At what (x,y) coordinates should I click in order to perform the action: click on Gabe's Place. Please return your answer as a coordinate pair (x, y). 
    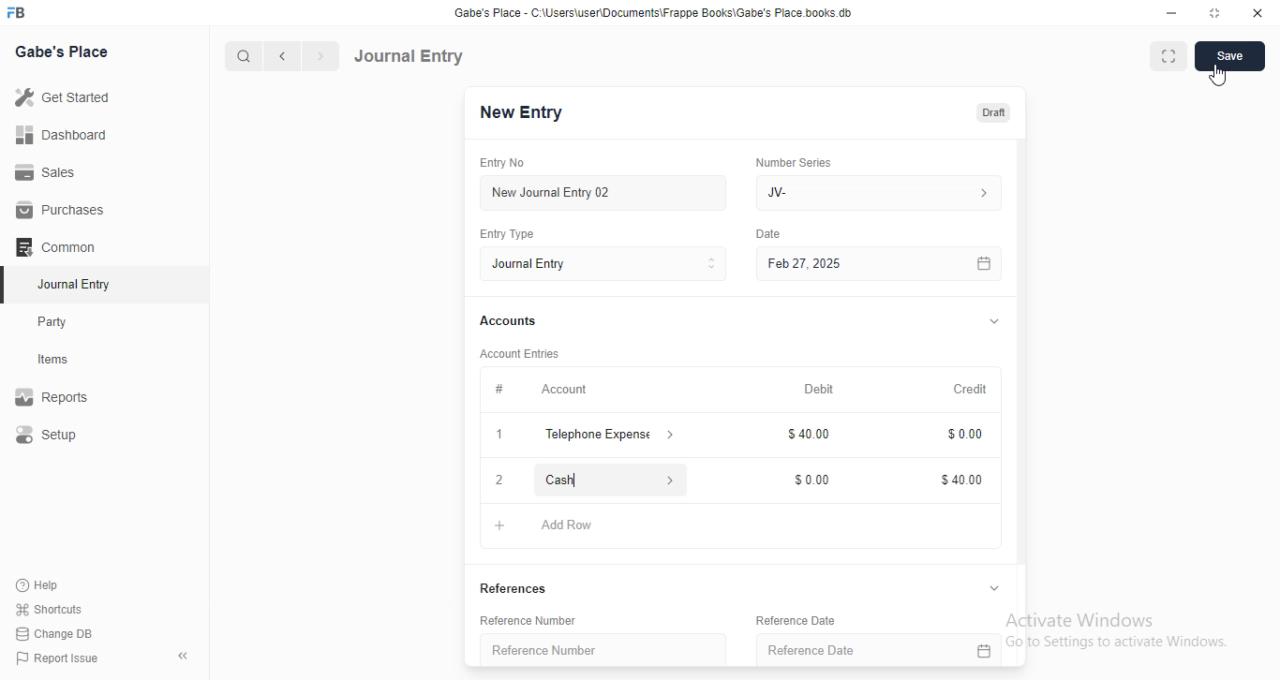
    Looking at the image, I should click on (63, 51).